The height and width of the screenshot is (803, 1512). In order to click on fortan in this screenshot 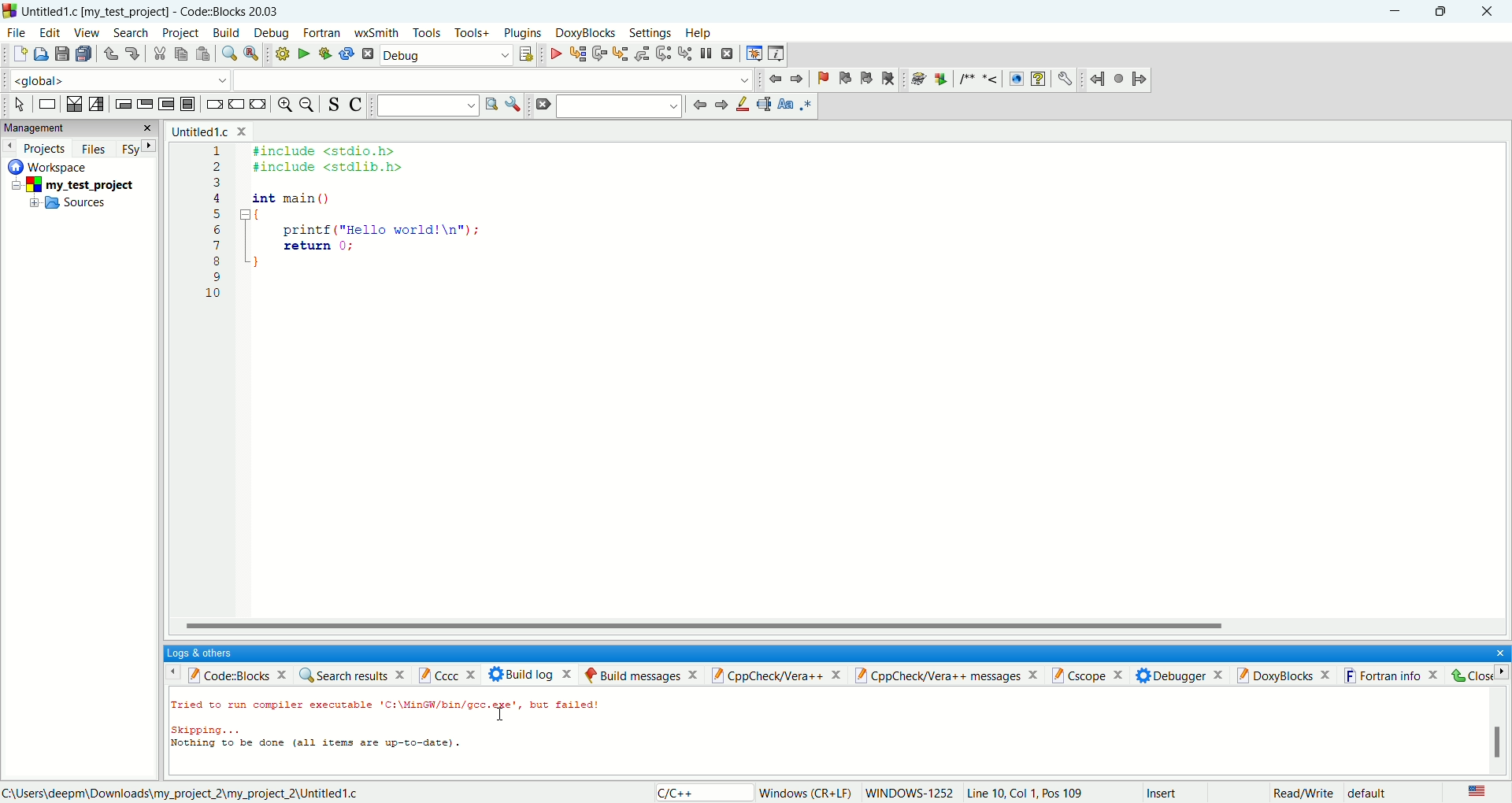, I will do `click(324, 34)`.